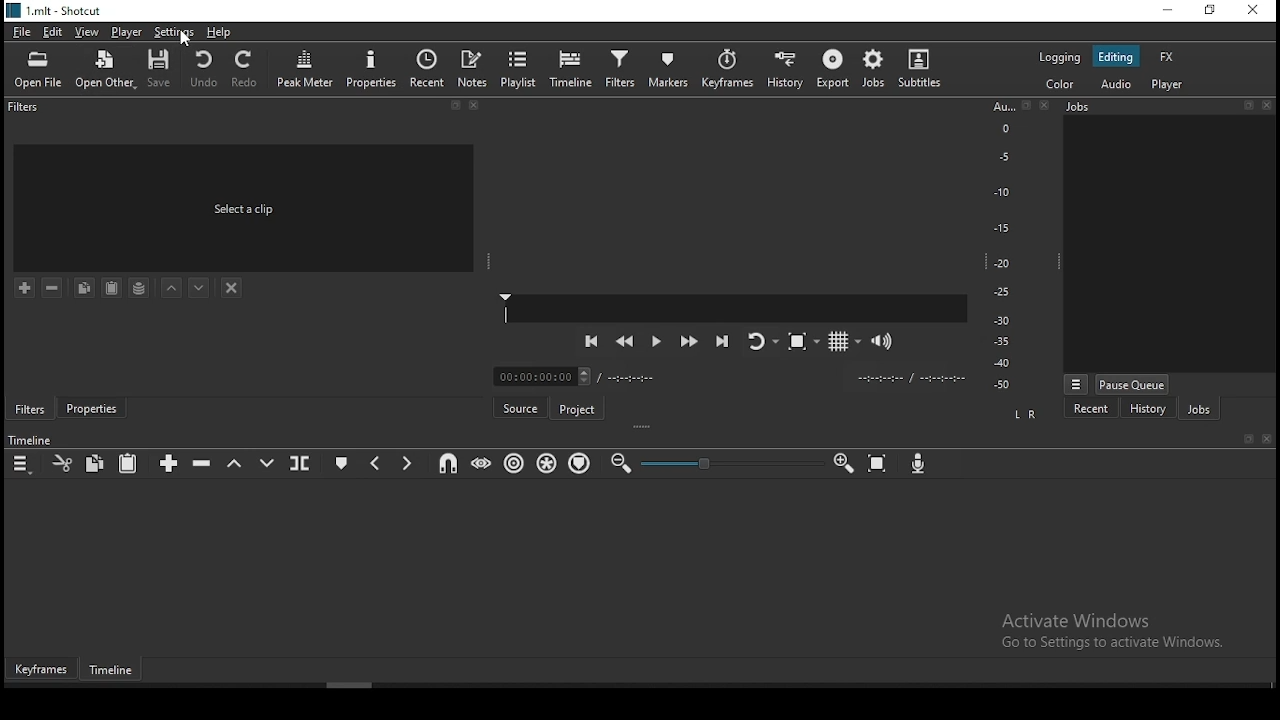 The image size is (1280, 720). I want to click on properties, so click(90, 410).